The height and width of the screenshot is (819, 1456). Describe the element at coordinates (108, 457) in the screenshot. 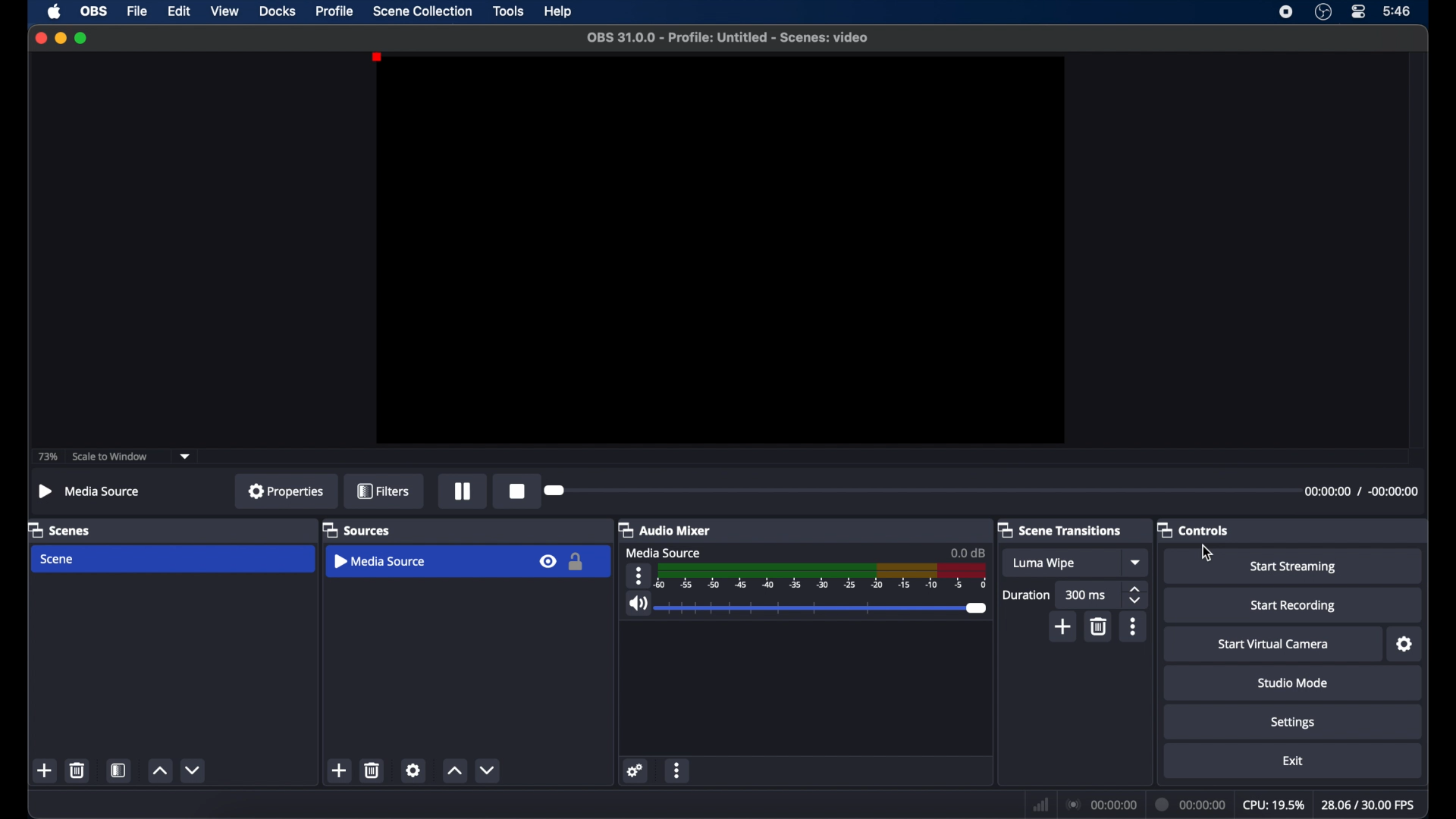

I see `scale to window` at that location.